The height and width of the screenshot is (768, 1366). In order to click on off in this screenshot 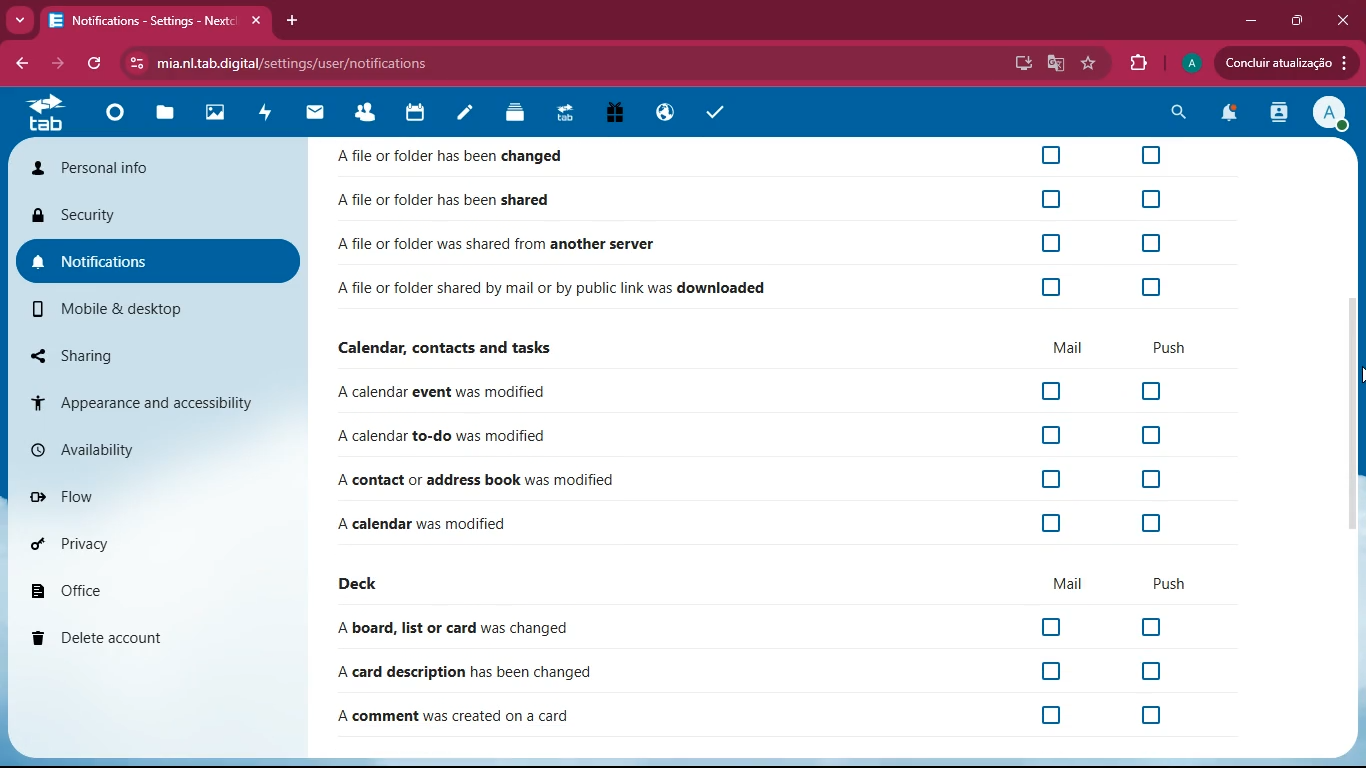, I will do `click(1154, 244)`.